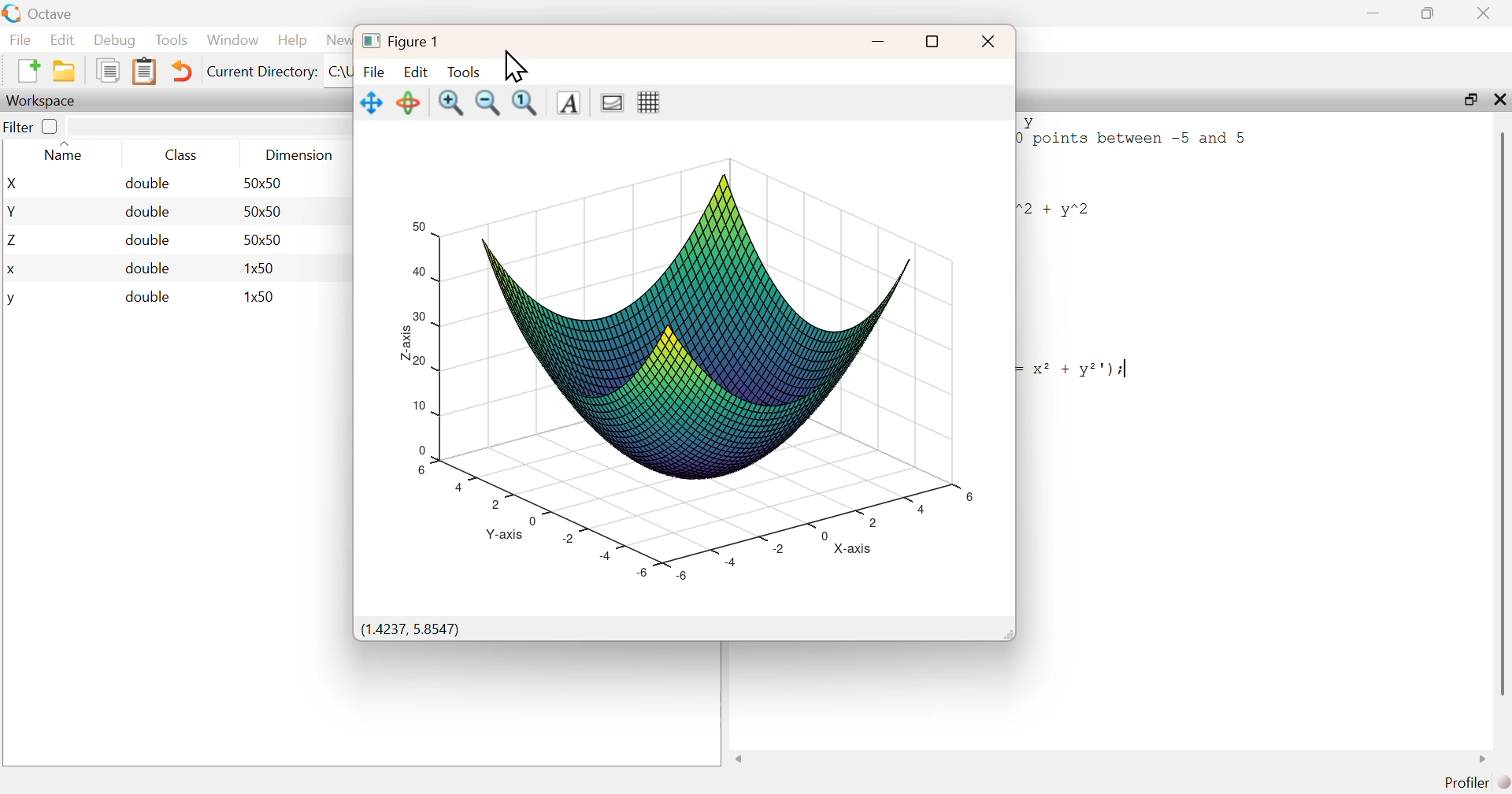 The image size is (1512, 794). I want to click on Dimension, so click(301, 155).